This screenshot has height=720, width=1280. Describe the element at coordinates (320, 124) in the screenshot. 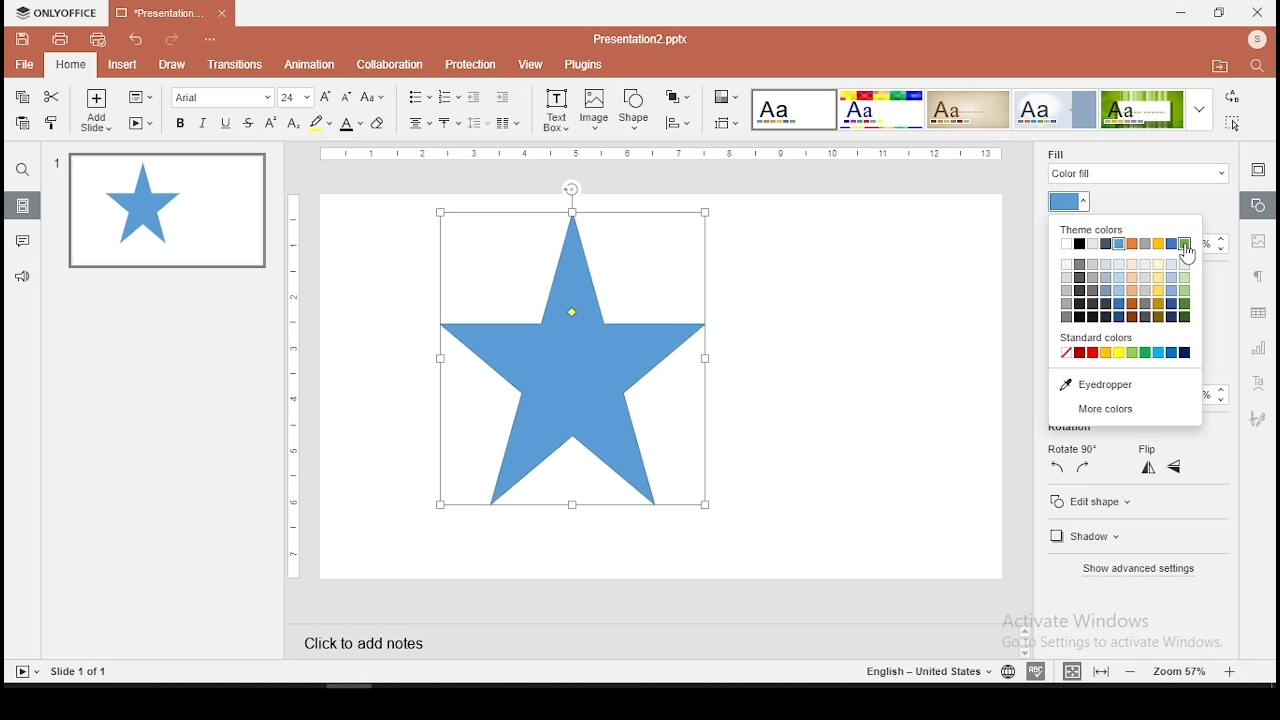

I see `highlight color` at that location.